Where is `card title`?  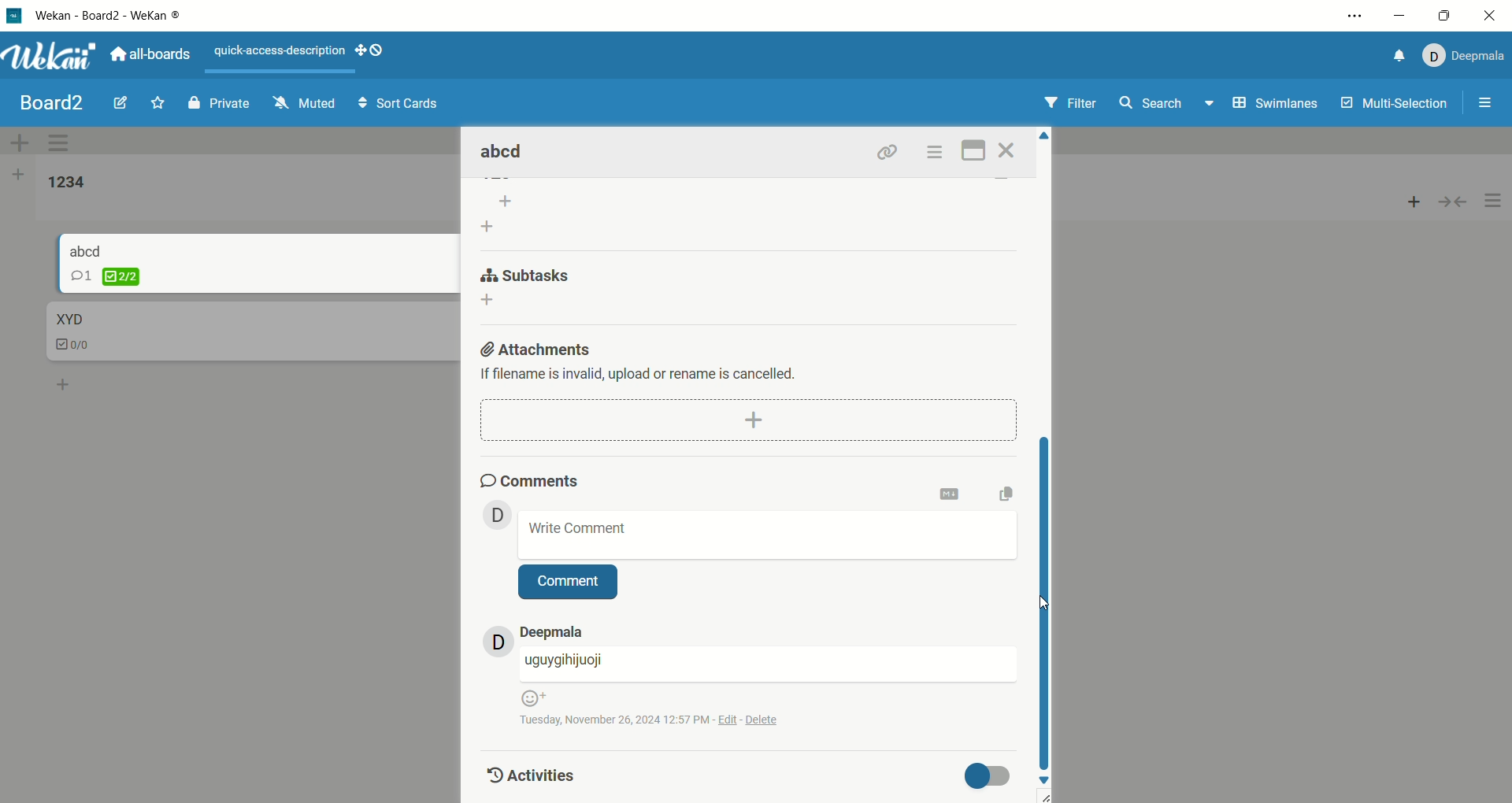
card title is located at coordinates (504, 153).